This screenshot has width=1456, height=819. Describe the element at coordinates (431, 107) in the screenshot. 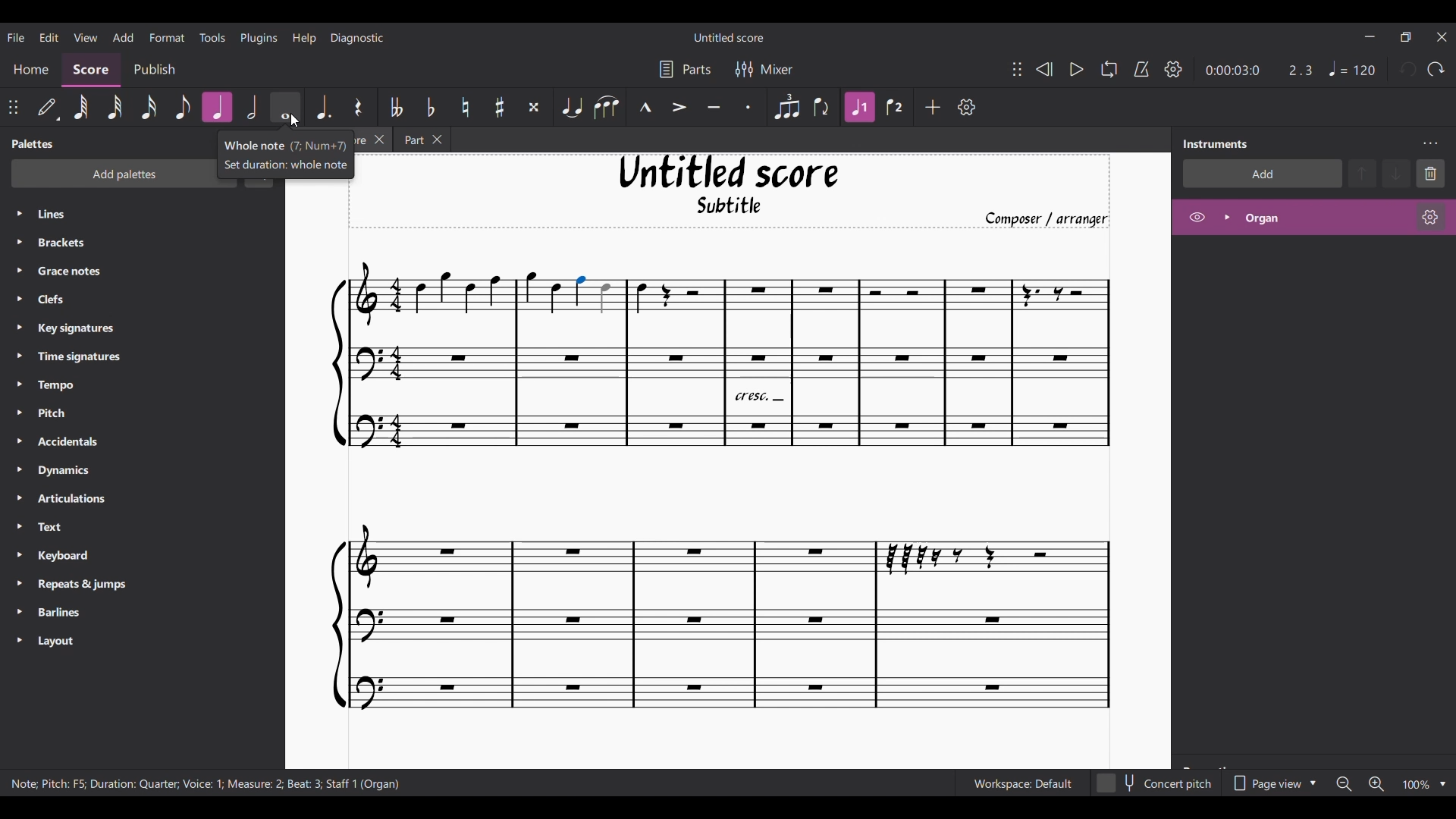

I see `Toggle flat` at that location.